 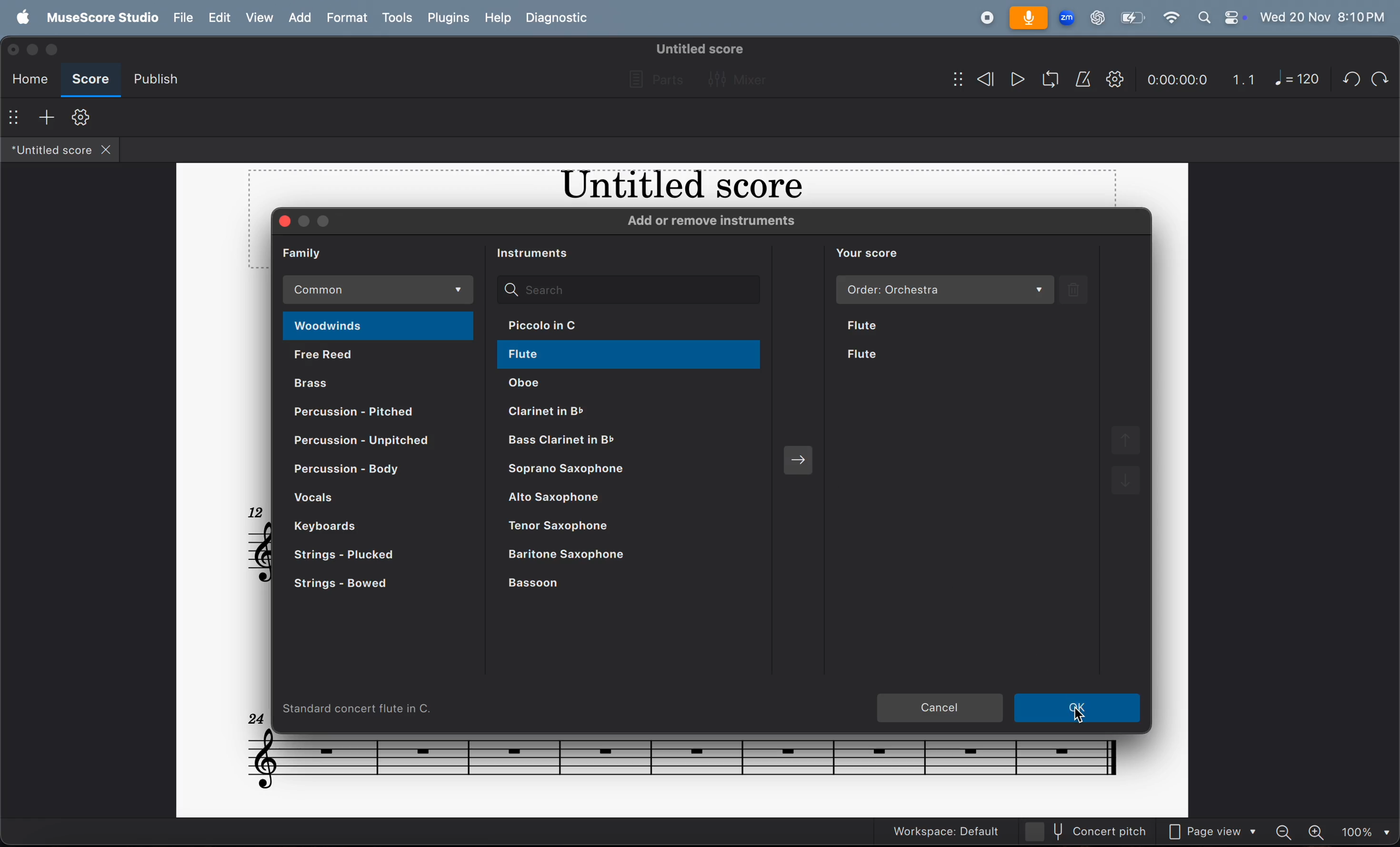 I want to click on vocals, so click(x=369, y=499).